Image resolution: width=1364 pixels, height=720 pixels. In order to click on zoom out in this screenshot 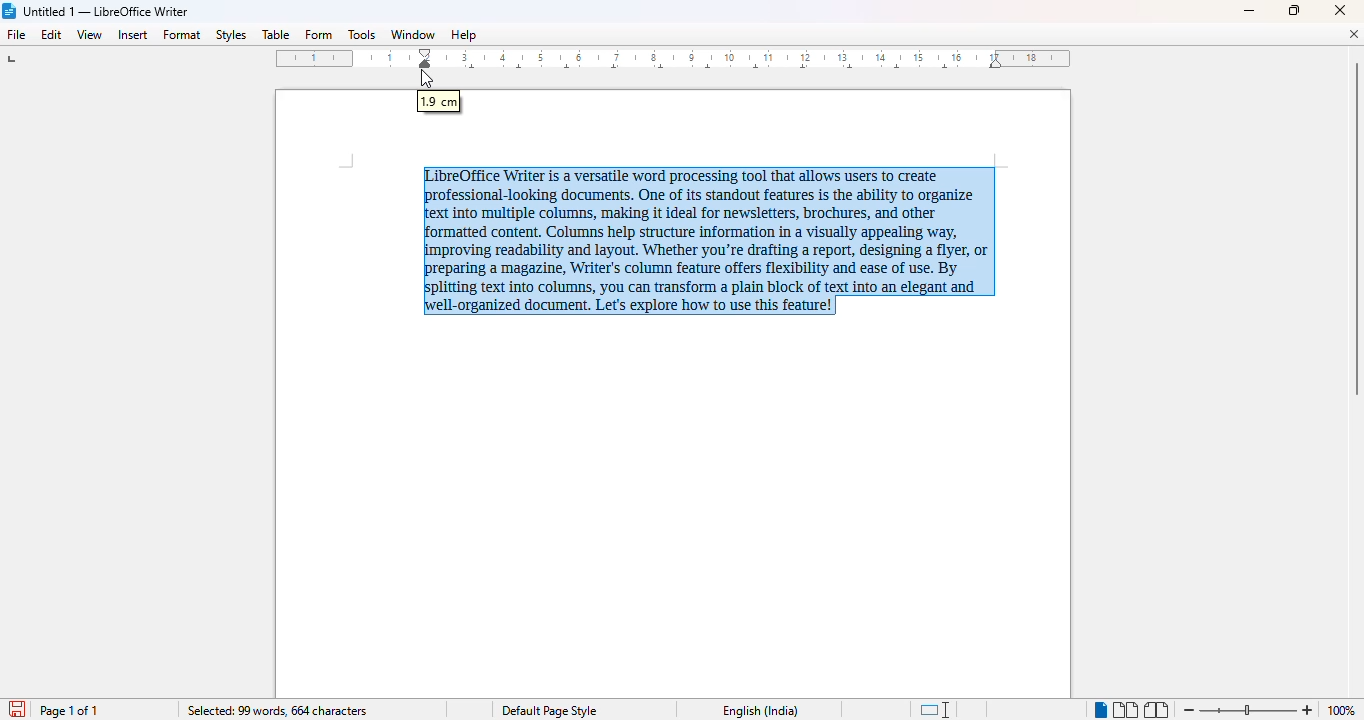, I will do `click(1190, 710)`.